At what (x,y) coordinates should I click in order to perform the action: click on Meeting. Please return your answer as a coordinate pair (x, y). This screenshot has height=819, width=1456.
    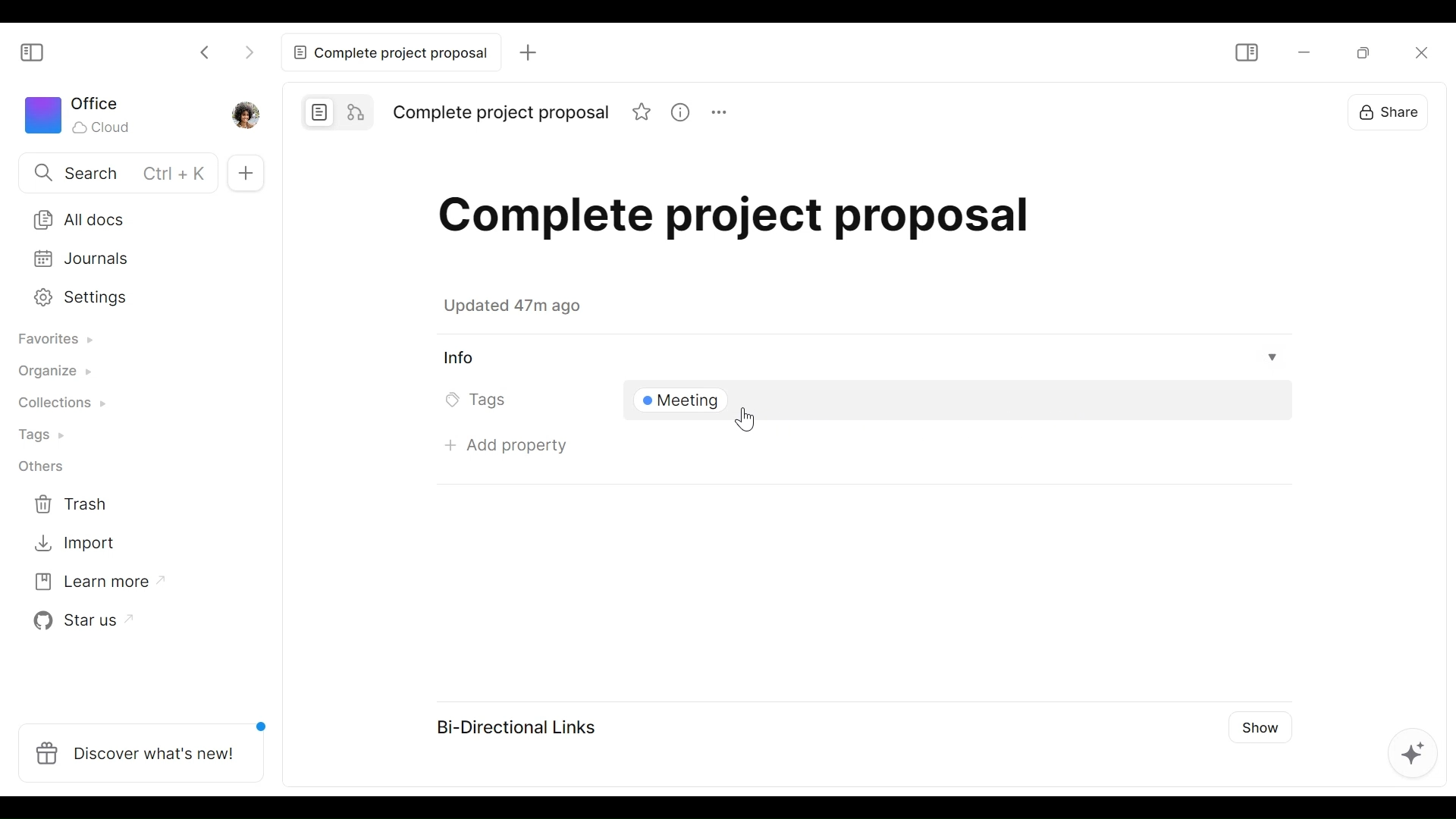
    Looking at the image, I should click on (686, 402).